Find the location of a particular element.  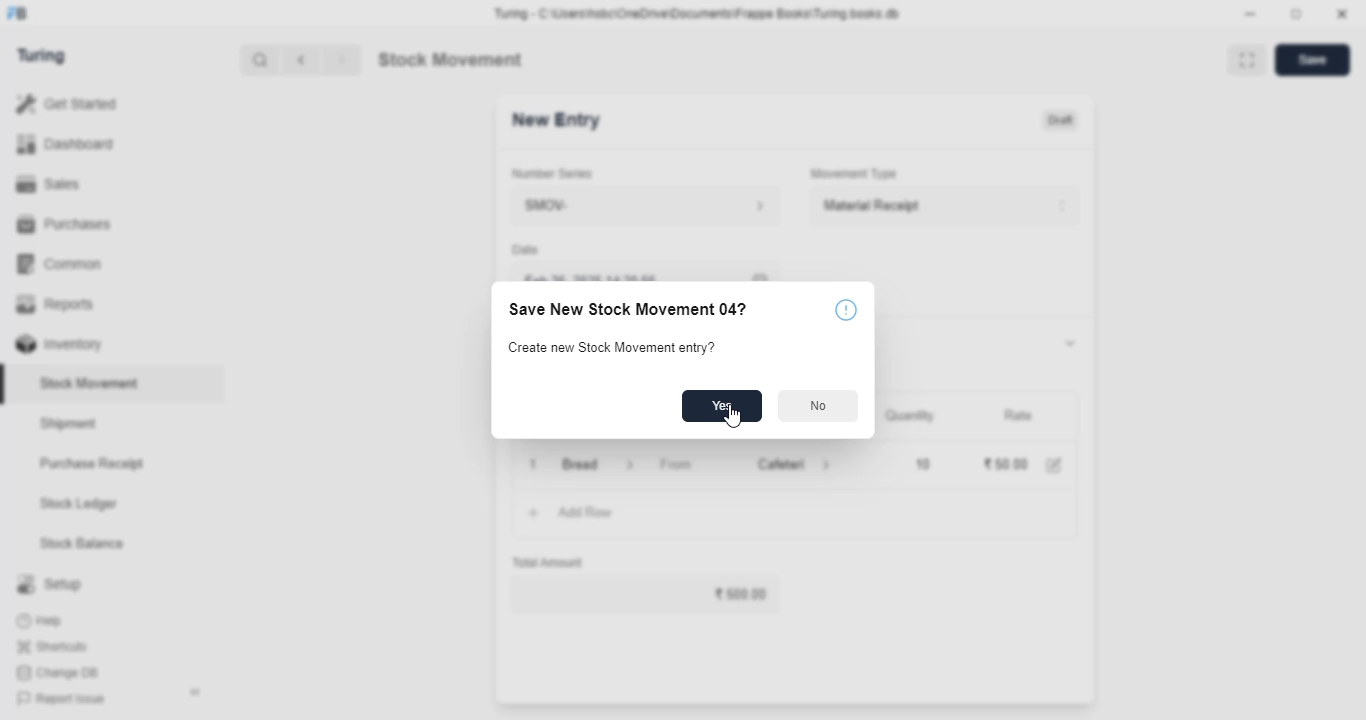

number series is located at coordinates (551, 174).